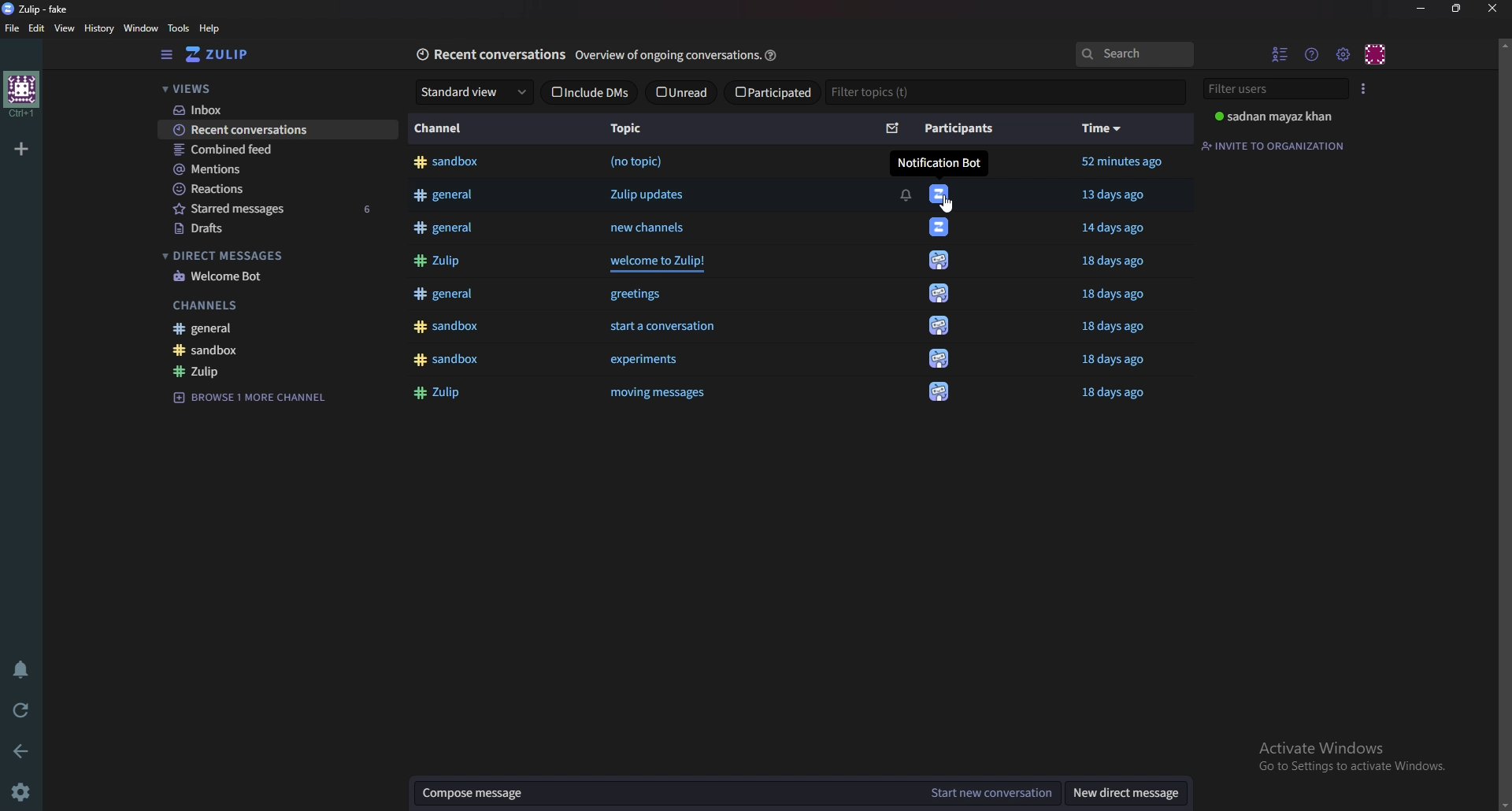  Describe the element at coordinates (636, 161) in the screenshot. I see `(no topic)` at that location.